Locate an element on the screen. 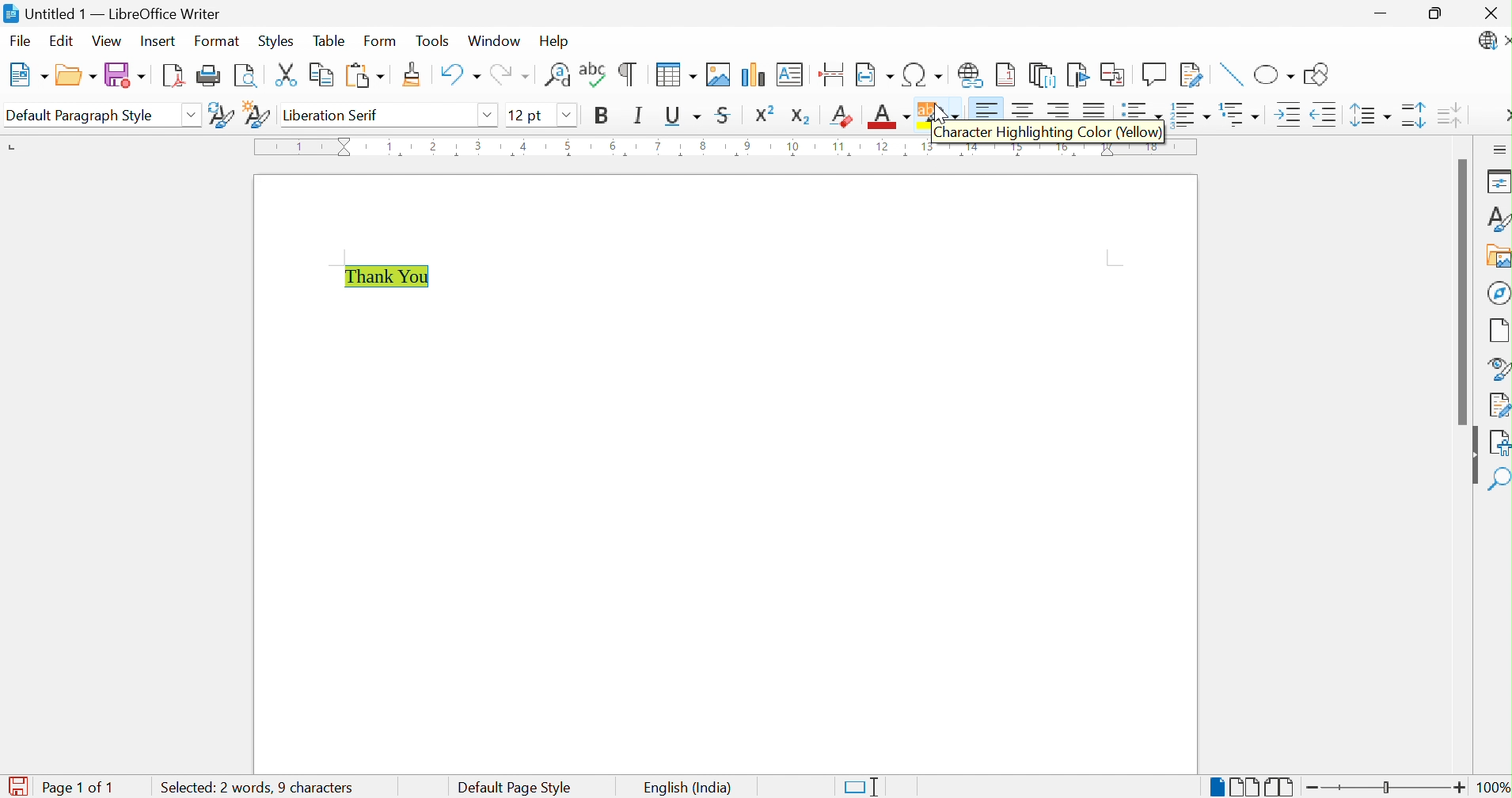 This screenshot has height=798, width=1512. Insert Field is located at coordinates (873, 74).